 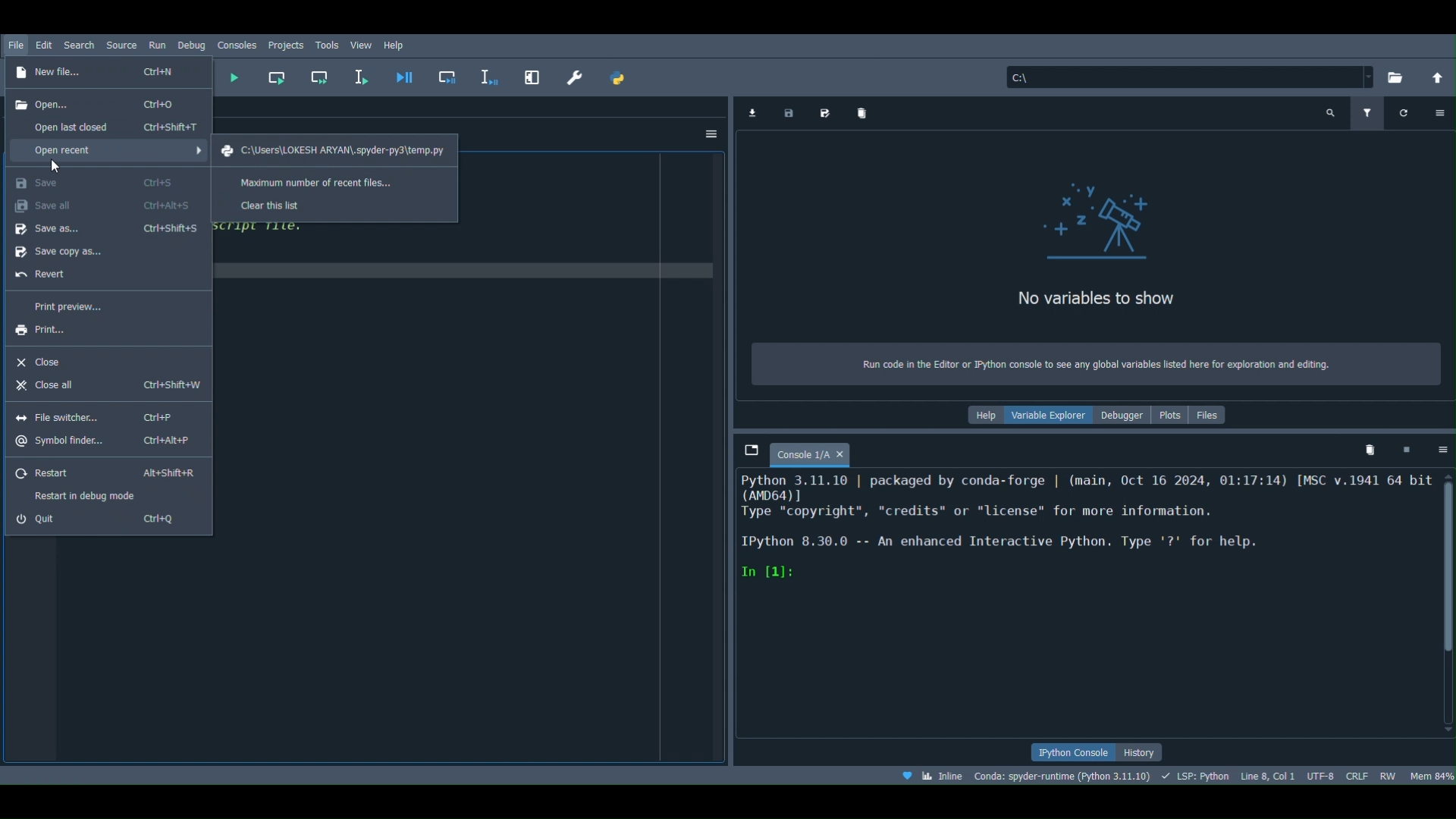 I want to click on Remove  all variables from namespace, so click(x=1370, y=453).